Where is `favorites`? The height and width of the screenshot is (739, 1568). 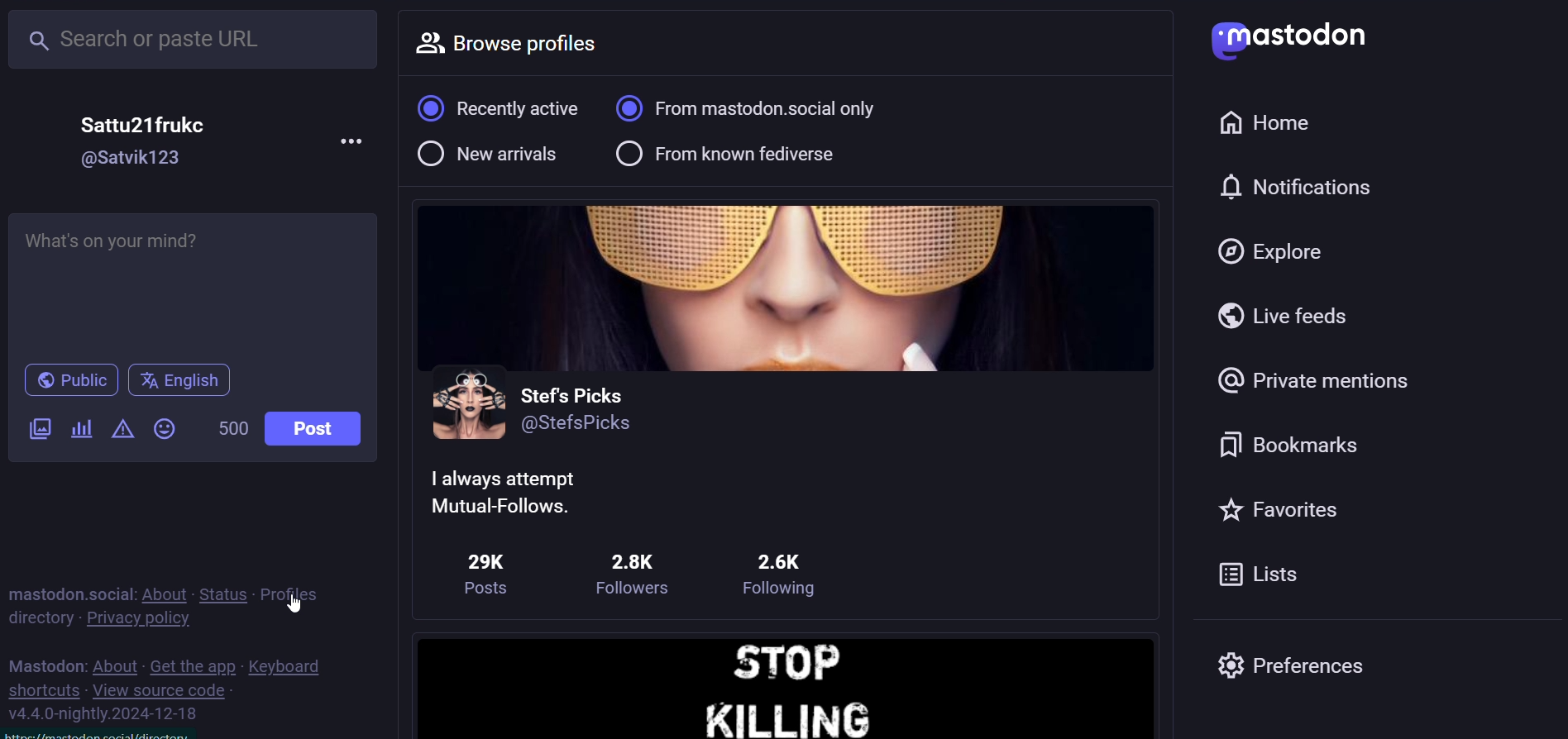
favorites is located at coordinates (1293, 508).